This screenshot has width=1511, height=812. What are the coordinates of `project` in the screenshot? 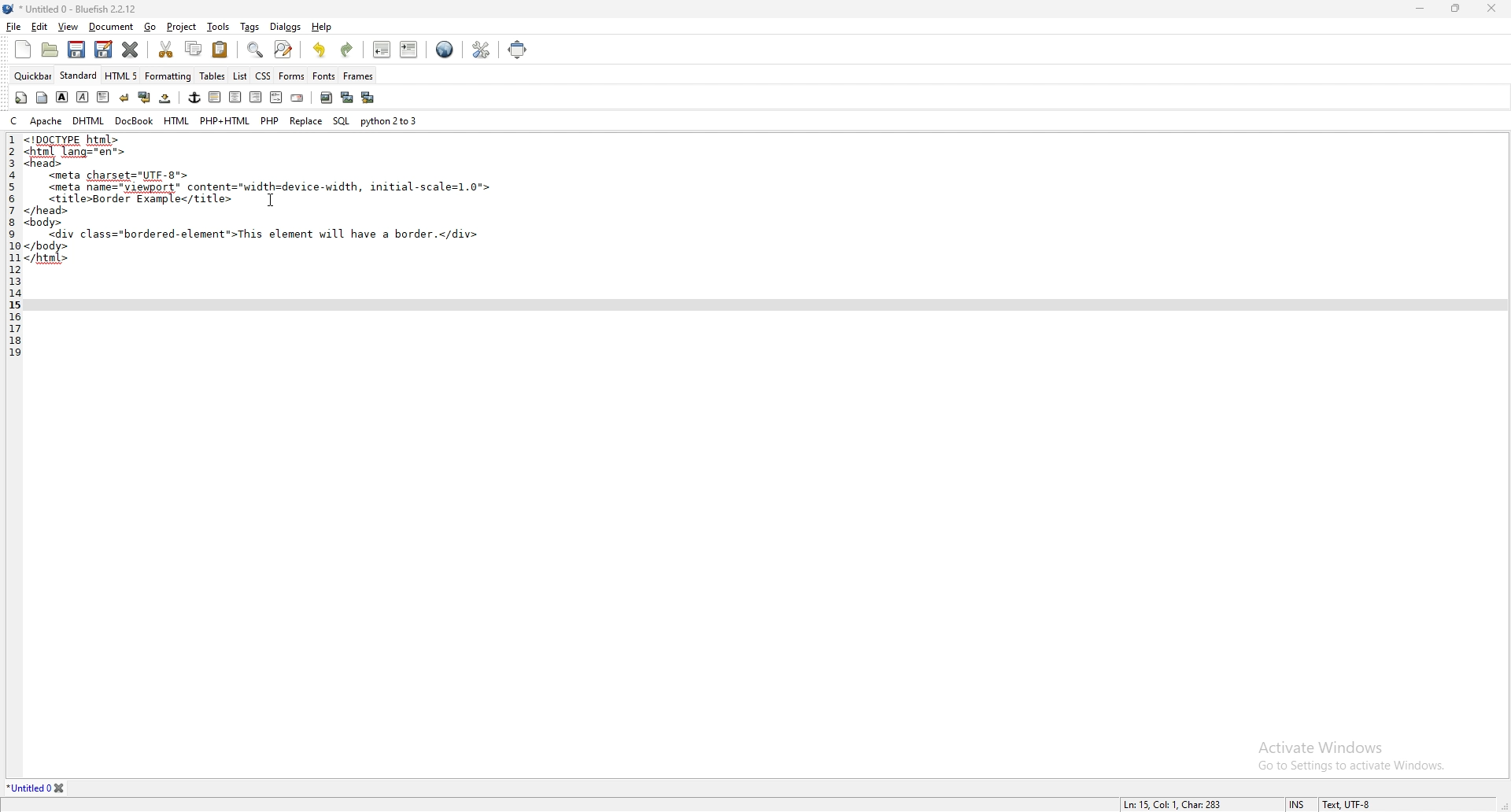 It's located at (183, 28).